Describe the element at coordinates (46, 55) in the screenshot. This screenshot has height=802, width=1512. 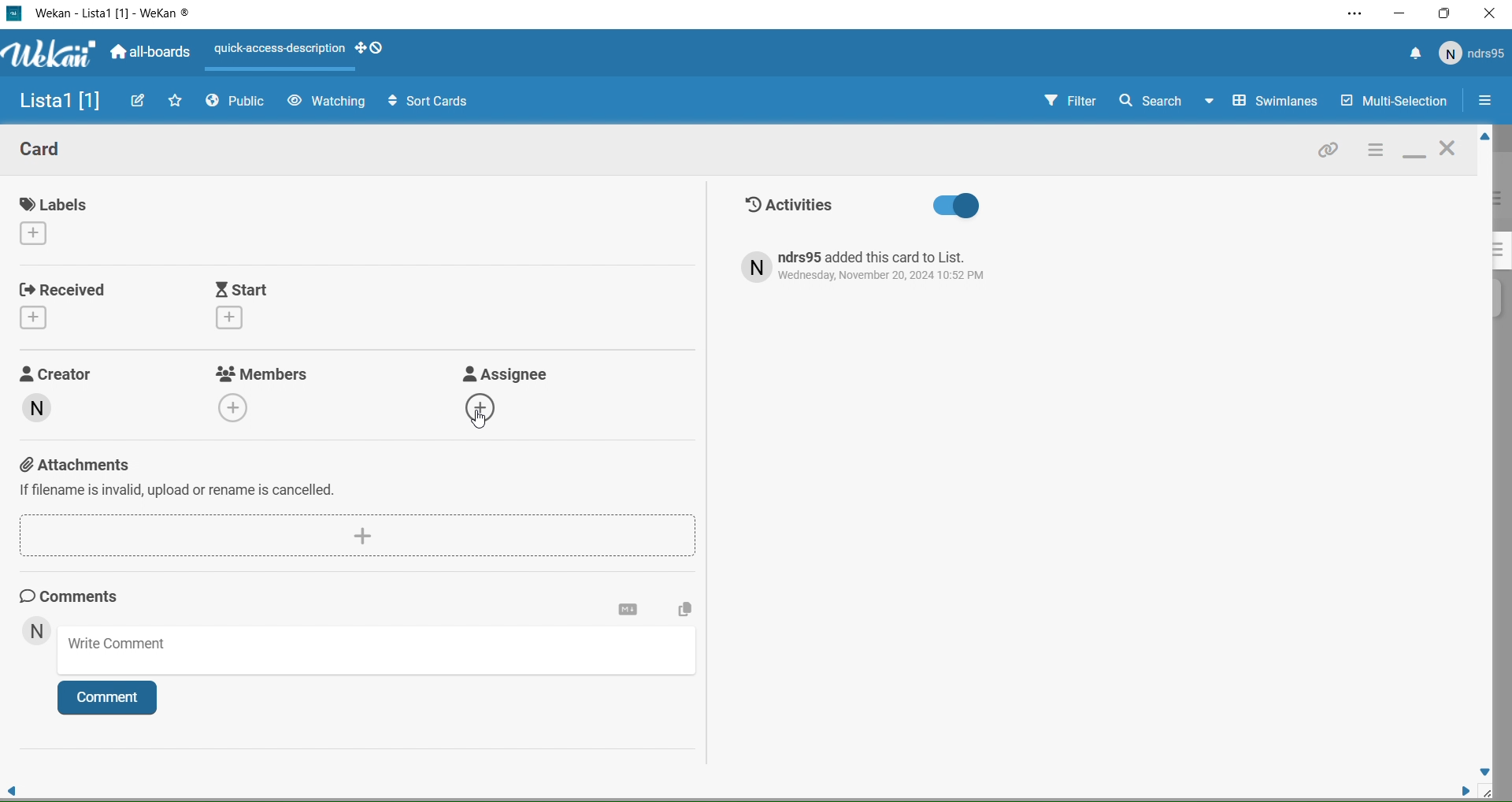
I see `Wekan logo` at that location.